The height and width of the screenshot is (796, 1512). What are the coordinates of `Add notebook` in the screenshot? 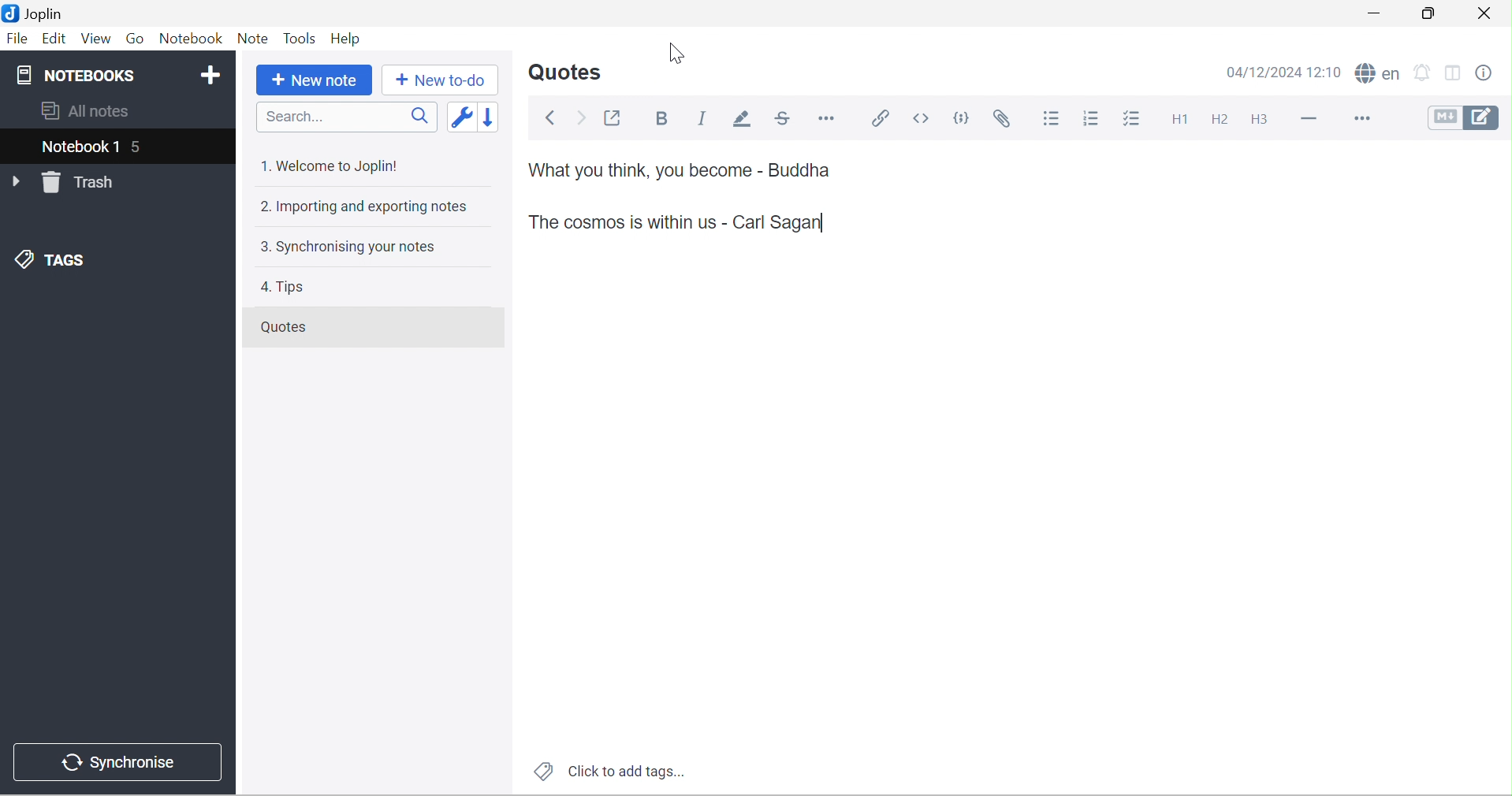 It's located at (213, 76).